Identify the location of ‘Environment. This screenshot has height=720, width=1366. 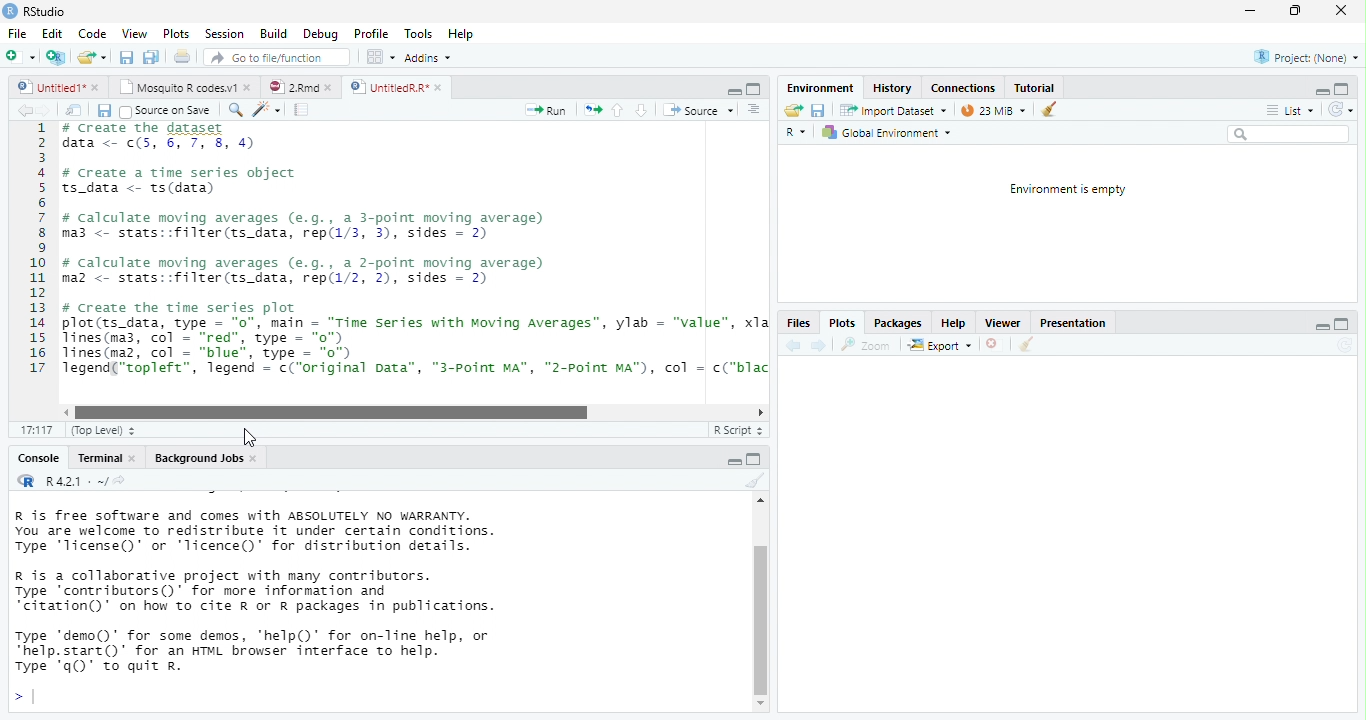
(819, 88).